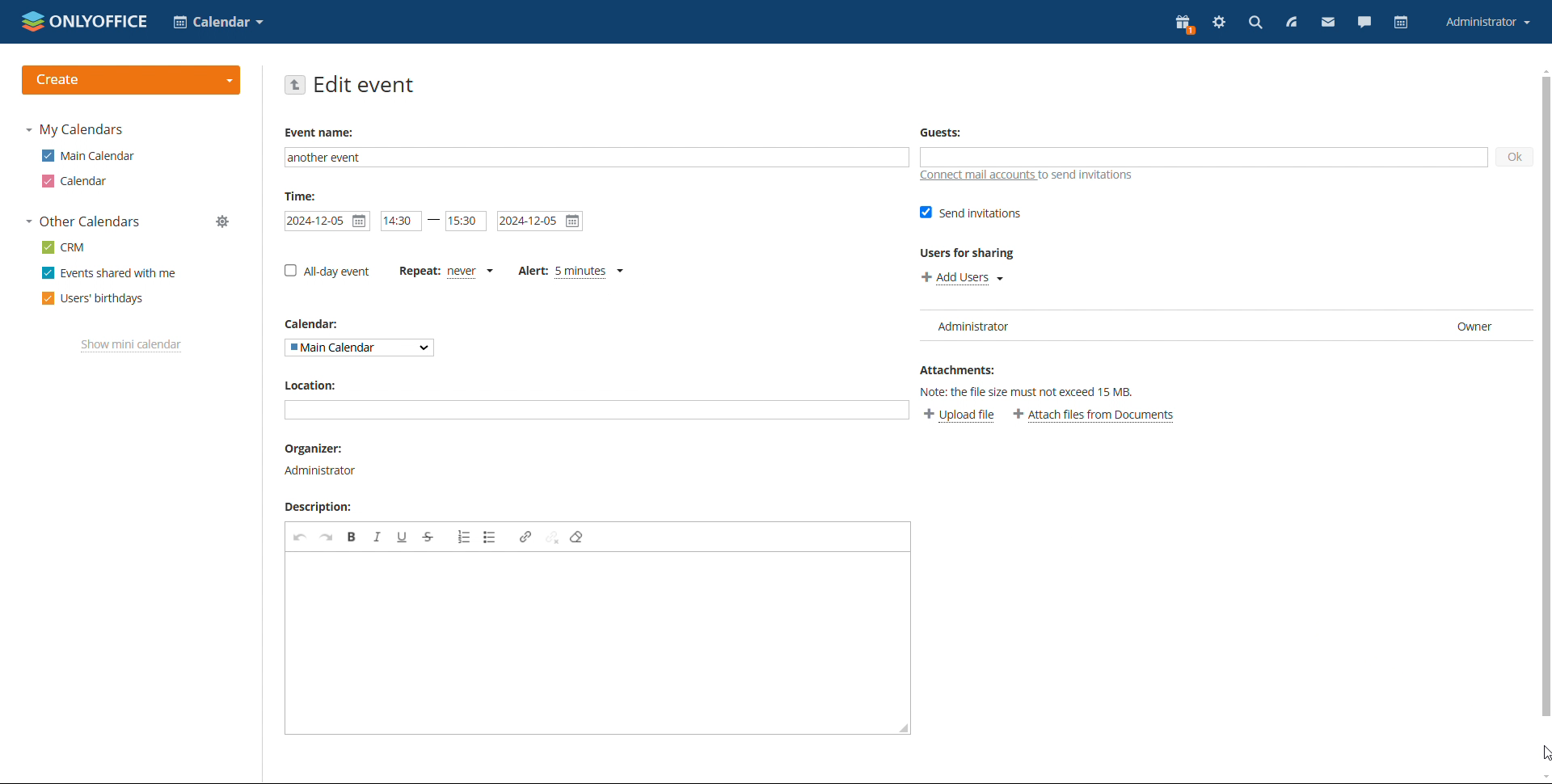 Image resolution: width=1552 pixels, height=784 pixels. What do you see at coordinates (402, 221) in the screenshot?
I see `start time` at bounding box center [402, 221].